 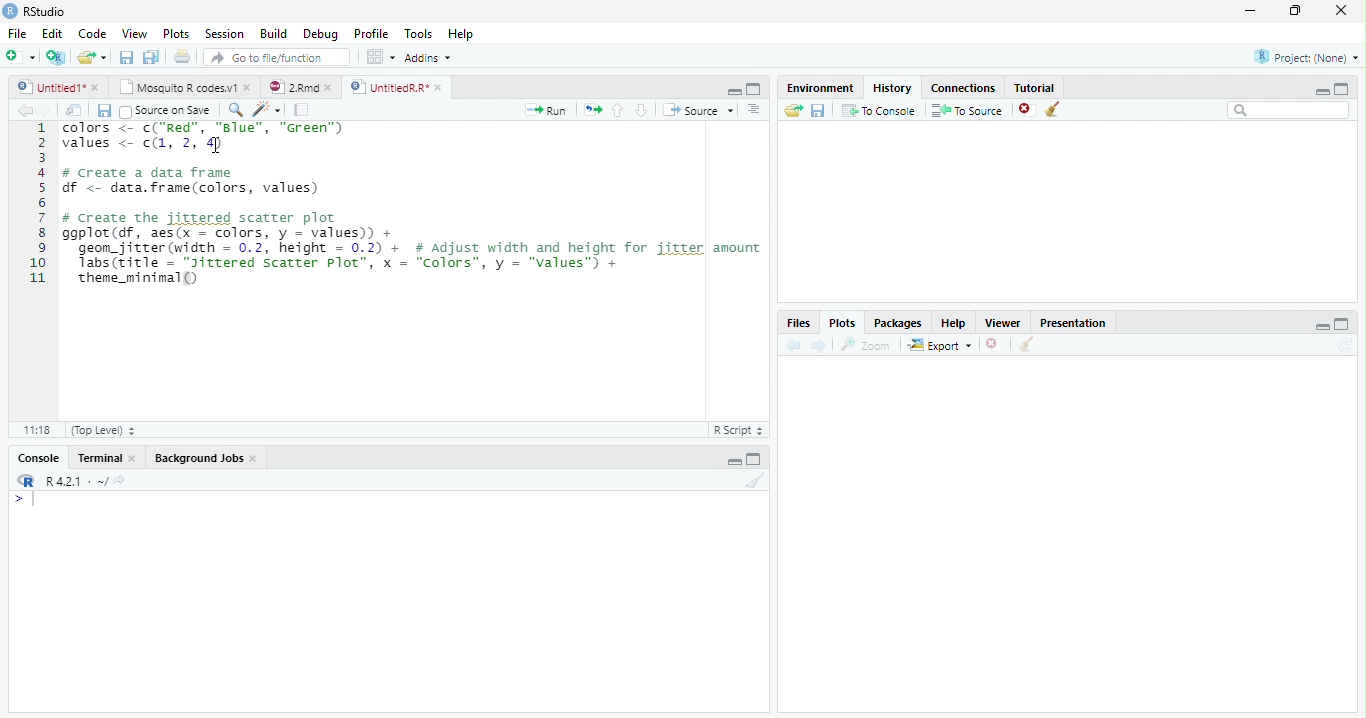 What do you see at coordinates (1035, 87) in the screenshot?
I see `Tutorial` at bounding box center [1035, 87].